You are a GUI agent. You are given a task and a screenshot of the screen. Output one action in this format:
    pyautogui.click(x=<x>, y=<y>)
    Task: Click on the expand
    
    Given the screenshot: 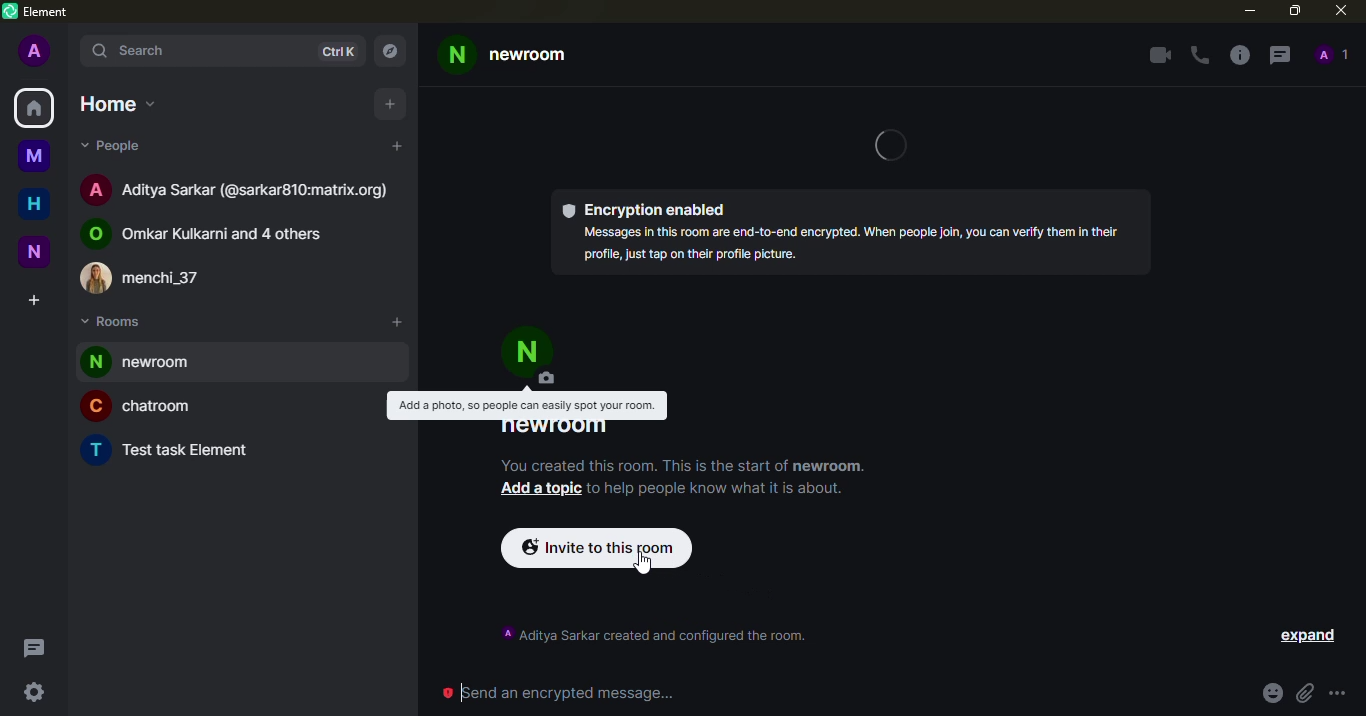 What is the action you would take?
    pyautogui.click(x=1309, y=638)
    